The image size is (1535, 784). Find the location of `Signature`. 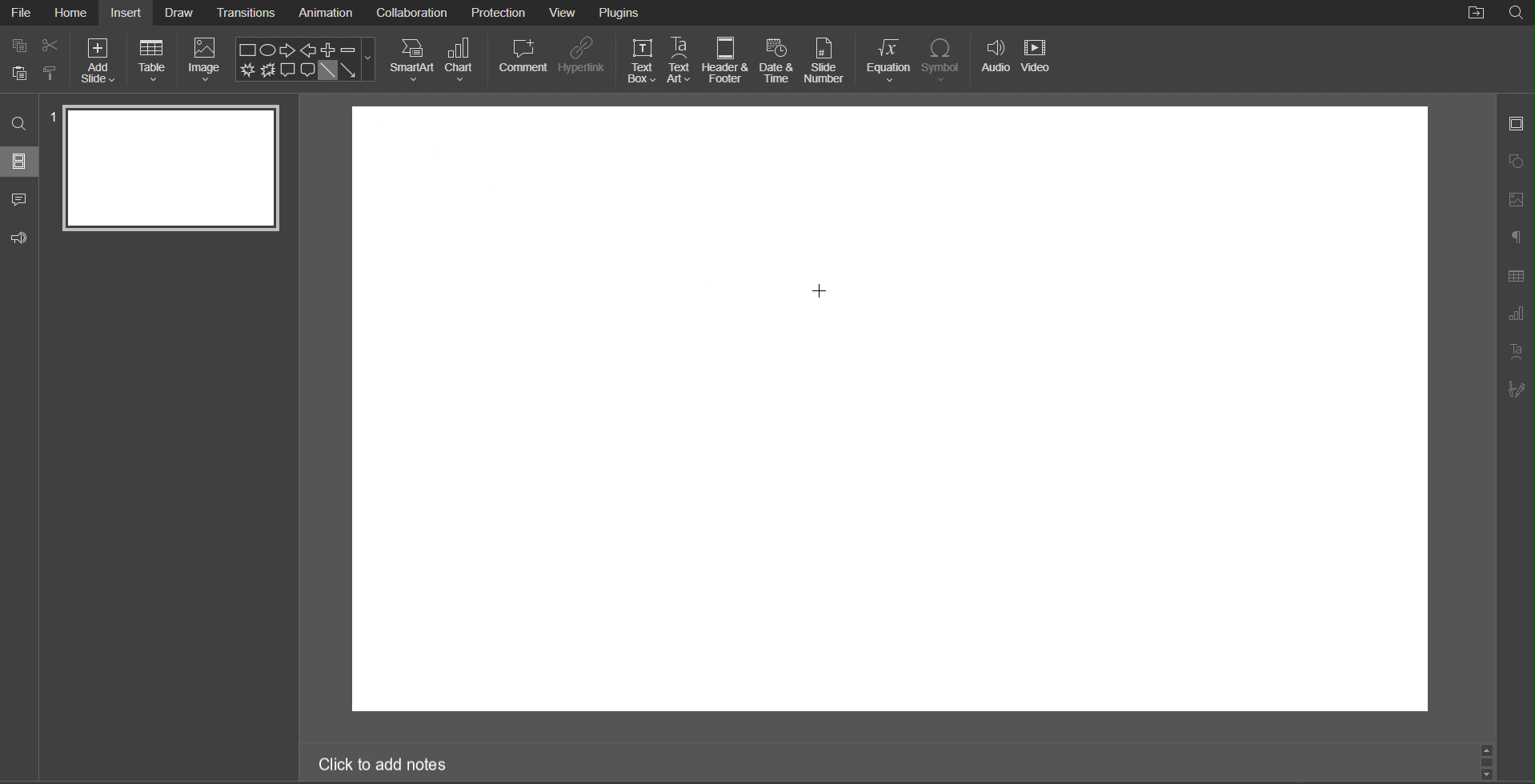

Signature is located at coordinates (1517, 390).